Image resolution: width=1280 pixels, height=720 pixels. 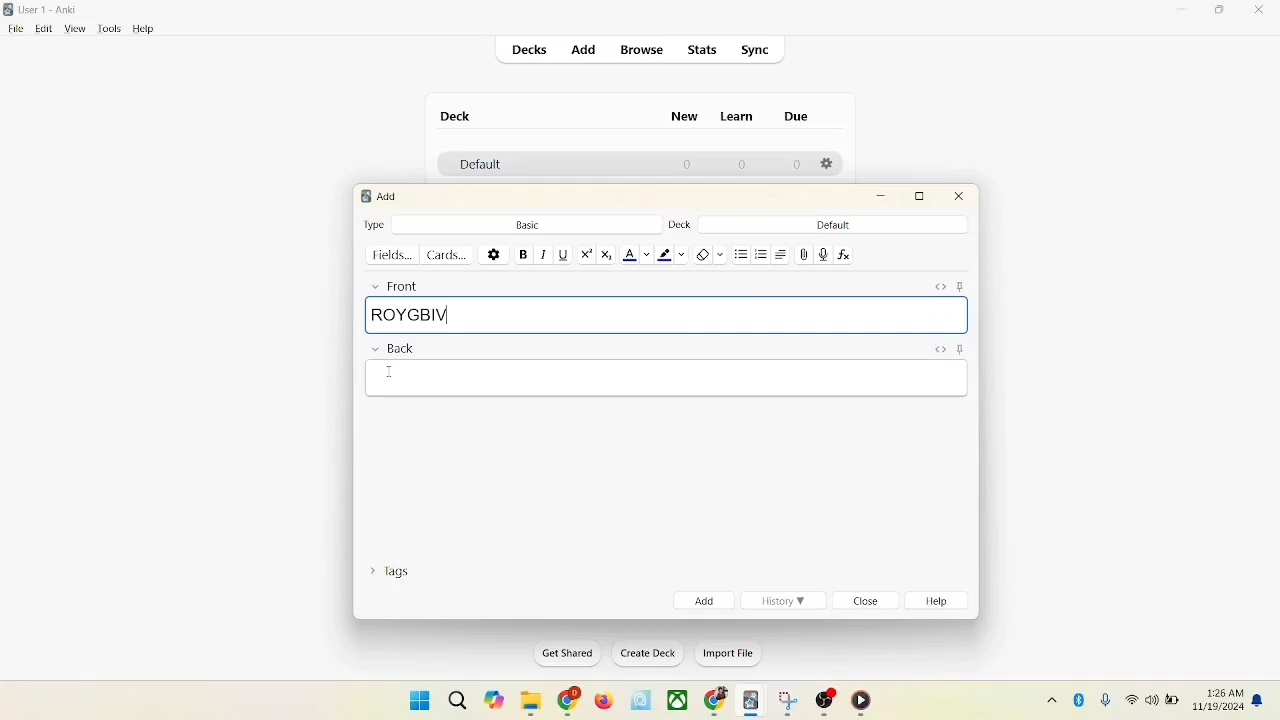 I want to click on blank space, so click(x=664, y=381).